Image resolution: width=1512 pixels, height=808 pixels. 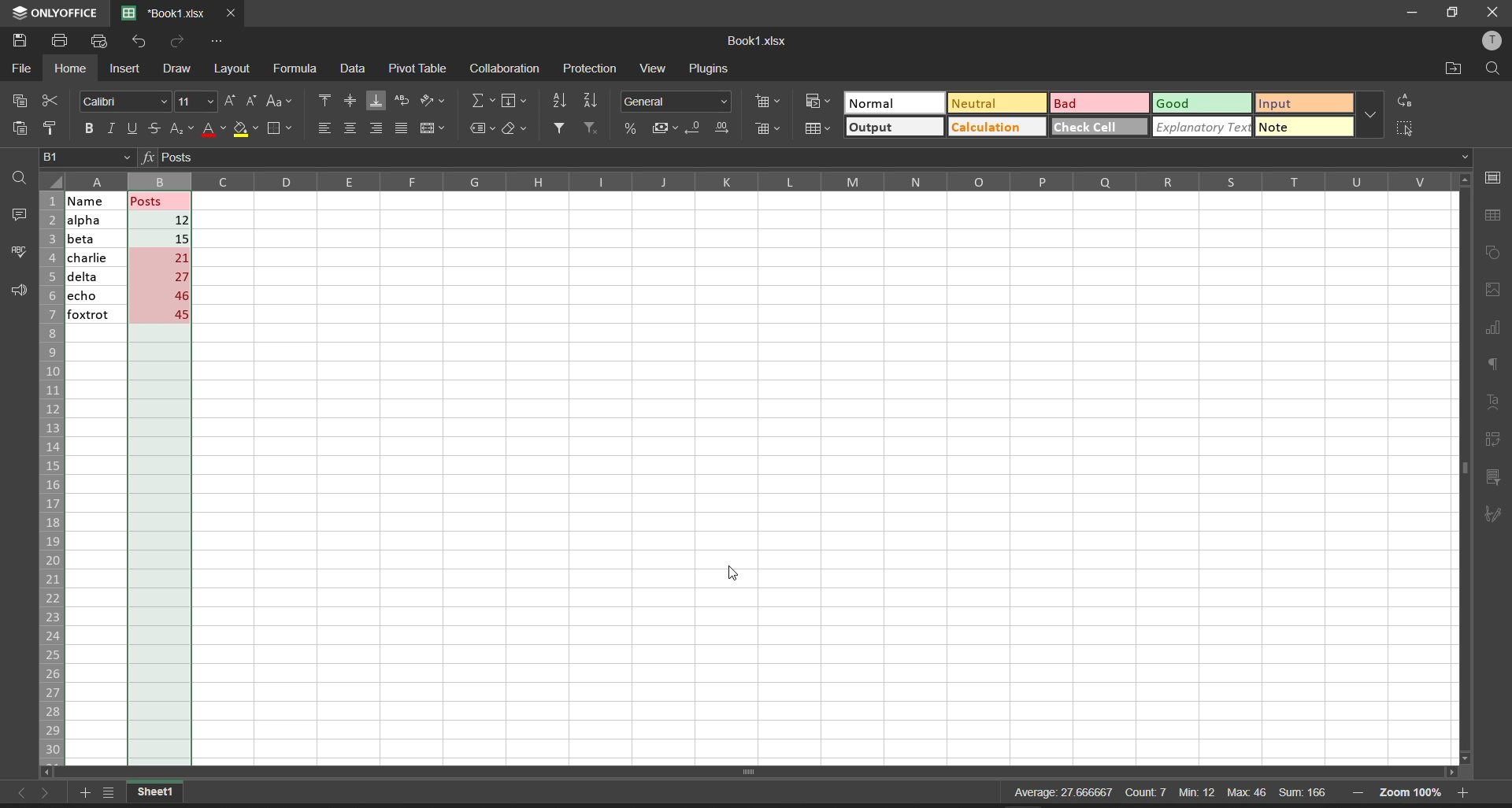 What do you see at coordinates (126, 68) in the screenshot?
I see `insert` at bounding box center [126, 68].